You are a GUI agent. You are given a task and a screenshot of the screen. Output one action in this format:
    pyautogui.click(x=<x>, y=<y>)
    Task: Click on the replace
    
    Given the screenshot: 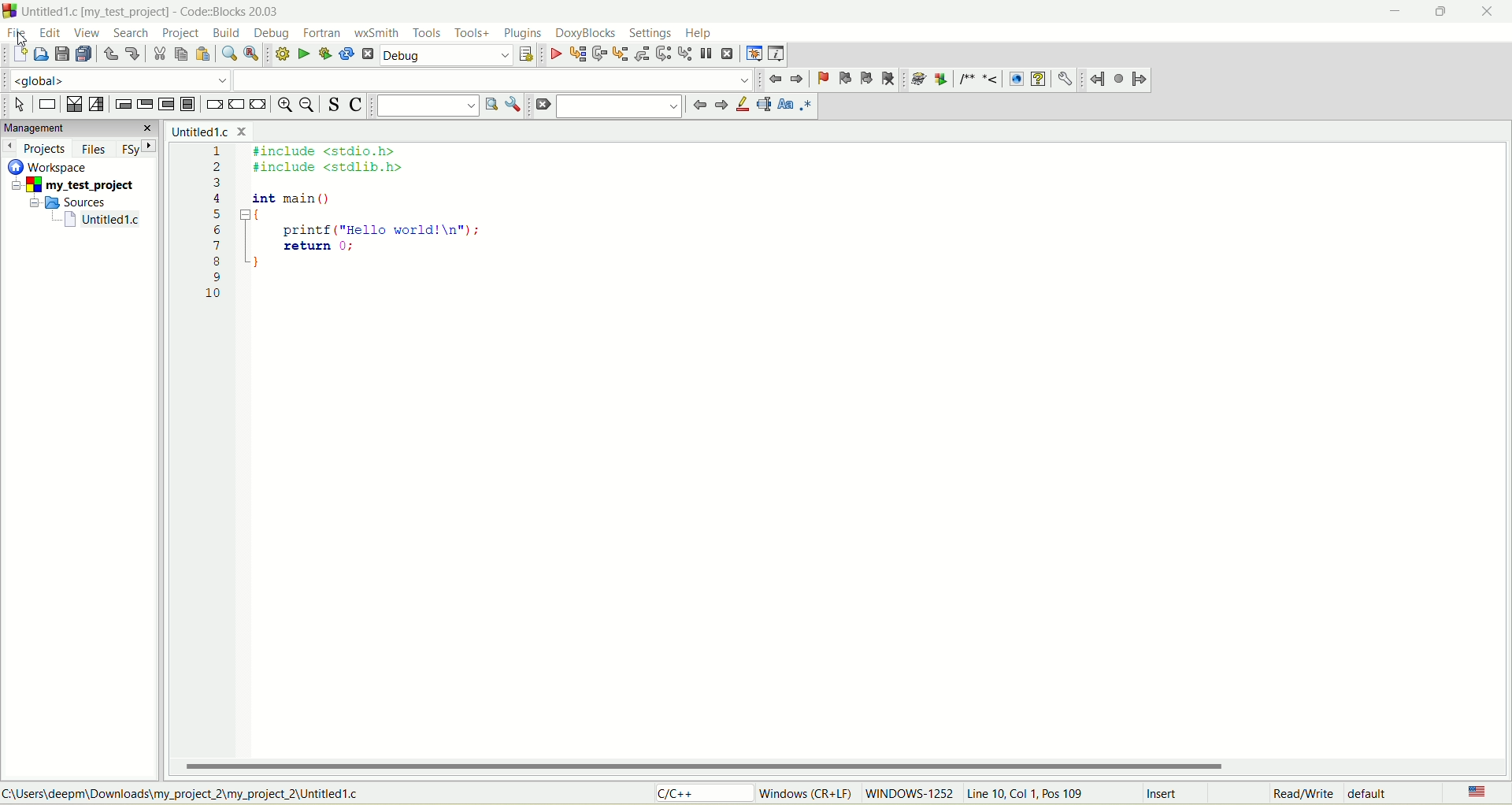 What is the action you would take?
    pyautogui.click(x=250, y=53)
    